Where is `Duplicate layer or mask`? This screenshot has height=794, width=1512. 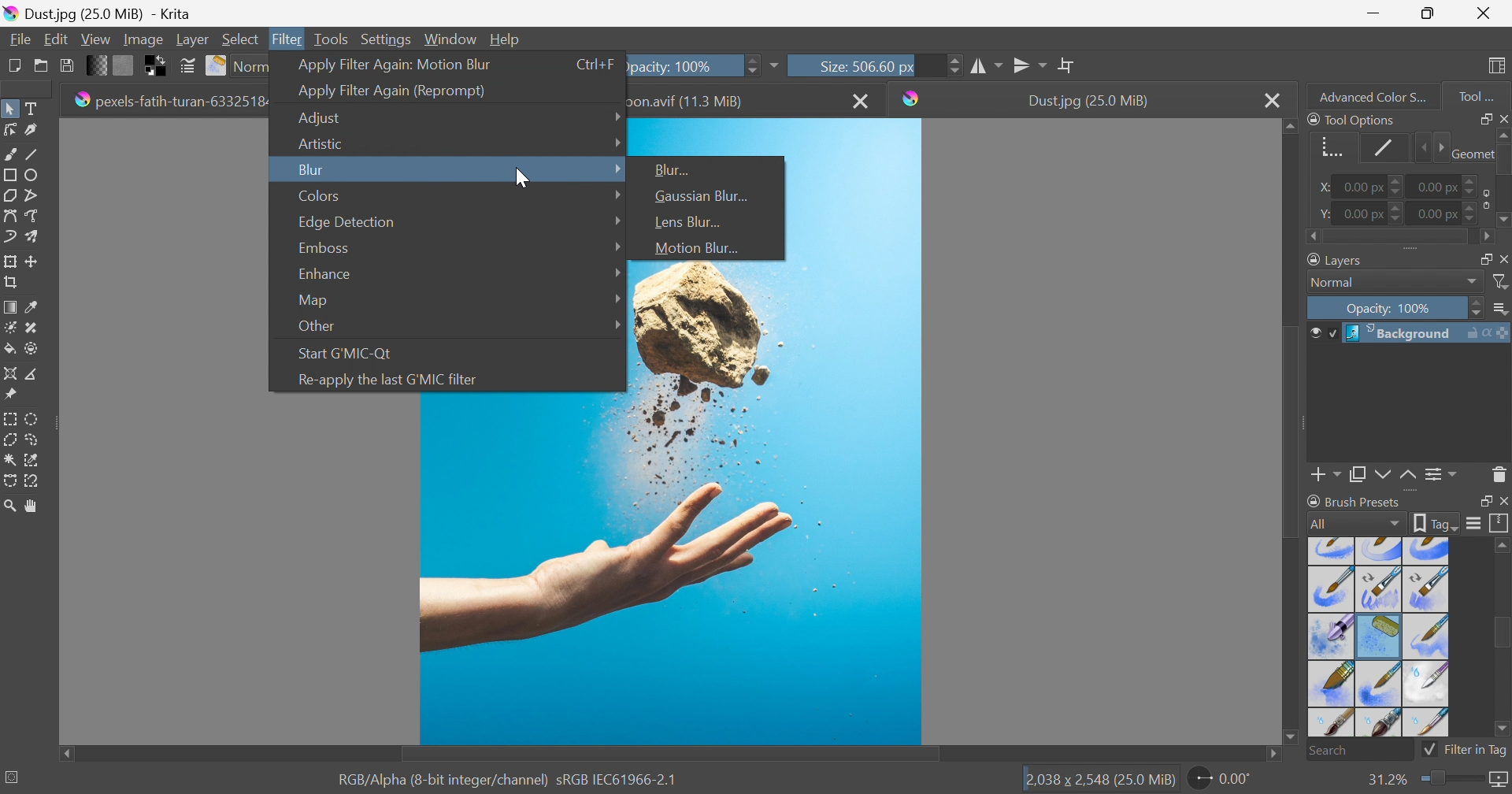
Duplicate layer or mask is located at coordinates (1380, 477).